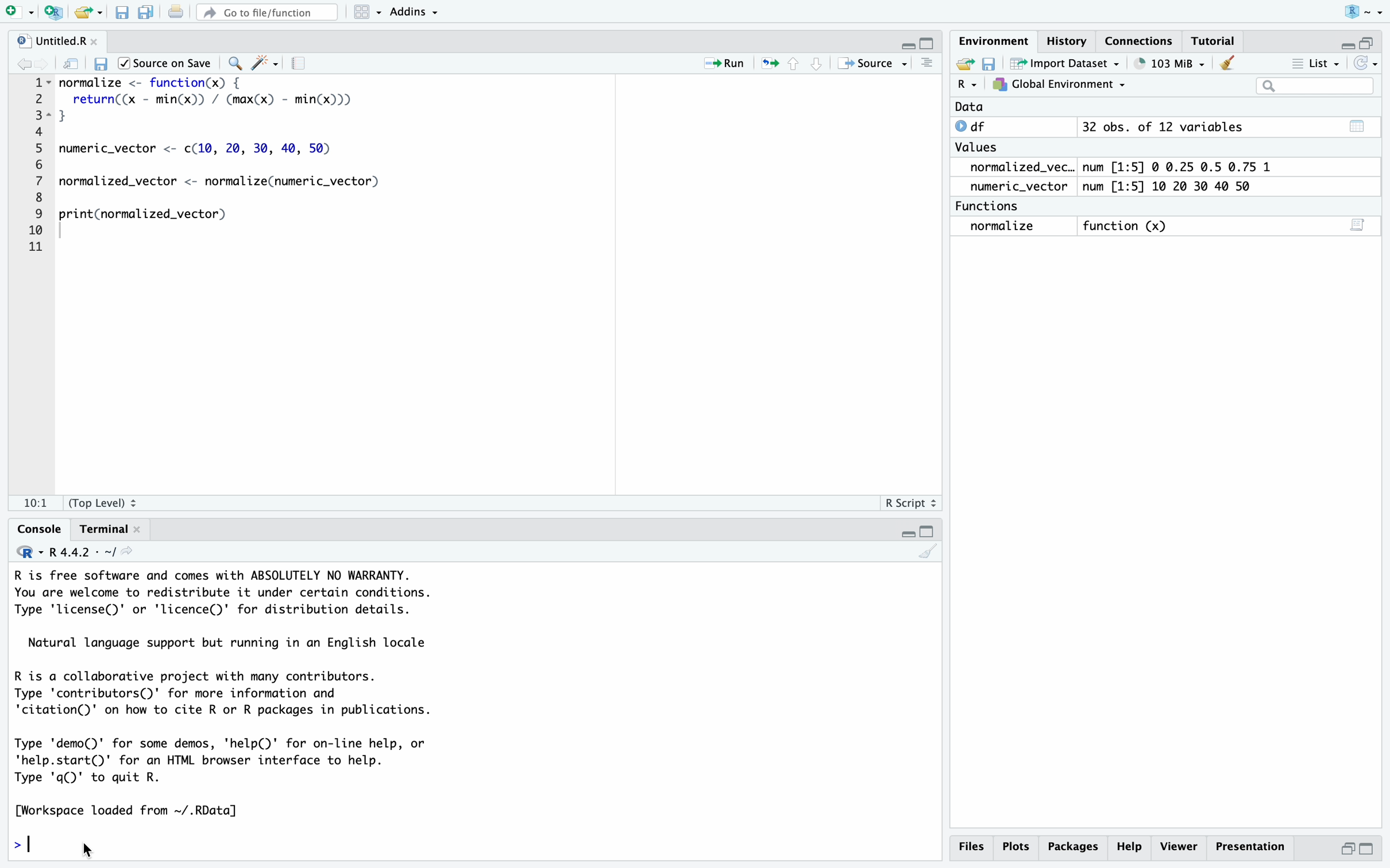 The height and width of the screenshot is (868, 1390). What do you see at coordinates (121, 14) in the screenshot?
I see `Save current document (Ctrl + S)` at bounding box center [121, 14].